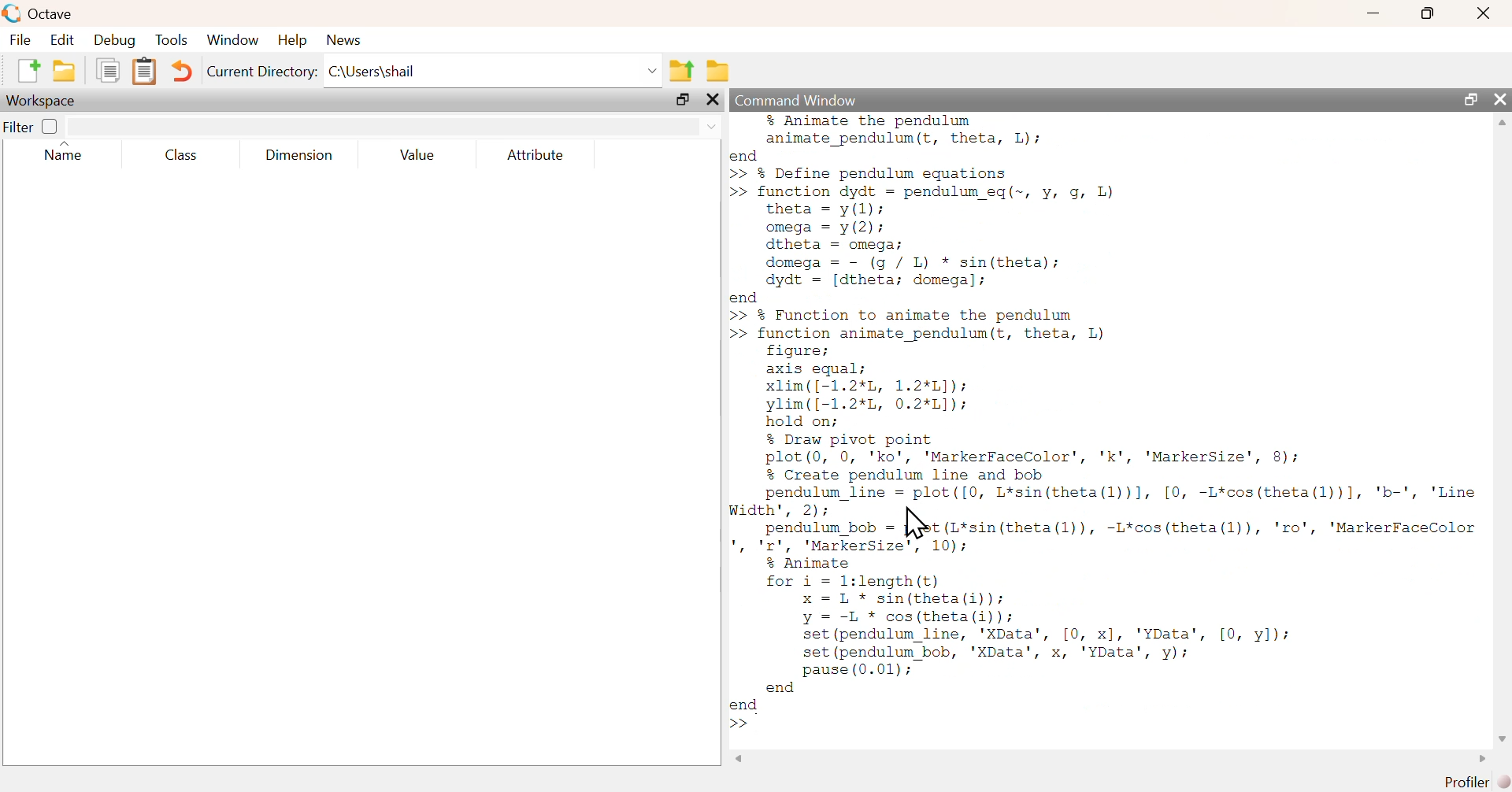 The width and height of the screenshot is (1512, 792). I want to click on Cursor, so click(915, 522).